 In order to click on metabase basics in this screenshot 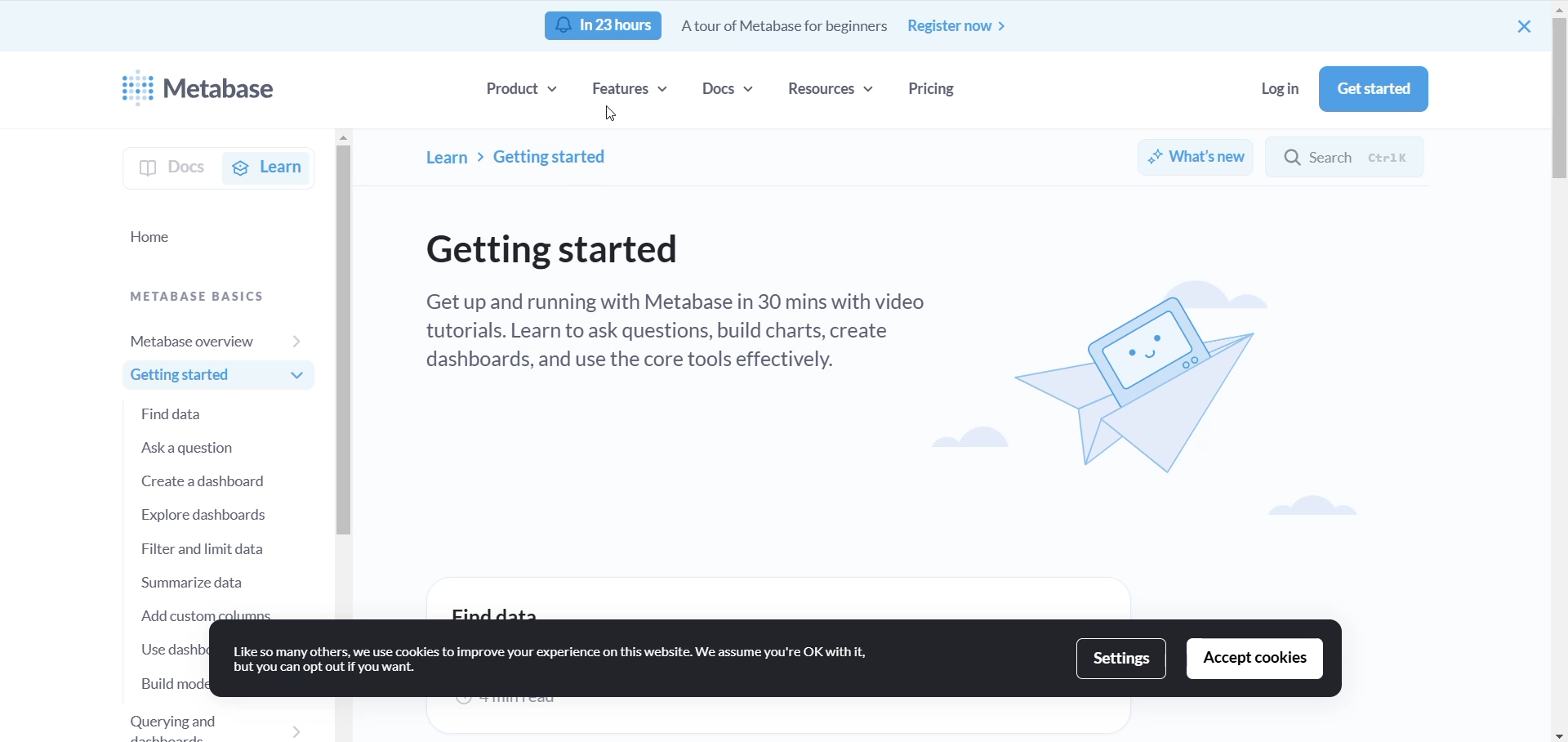, I will do `click(198, 297)`.